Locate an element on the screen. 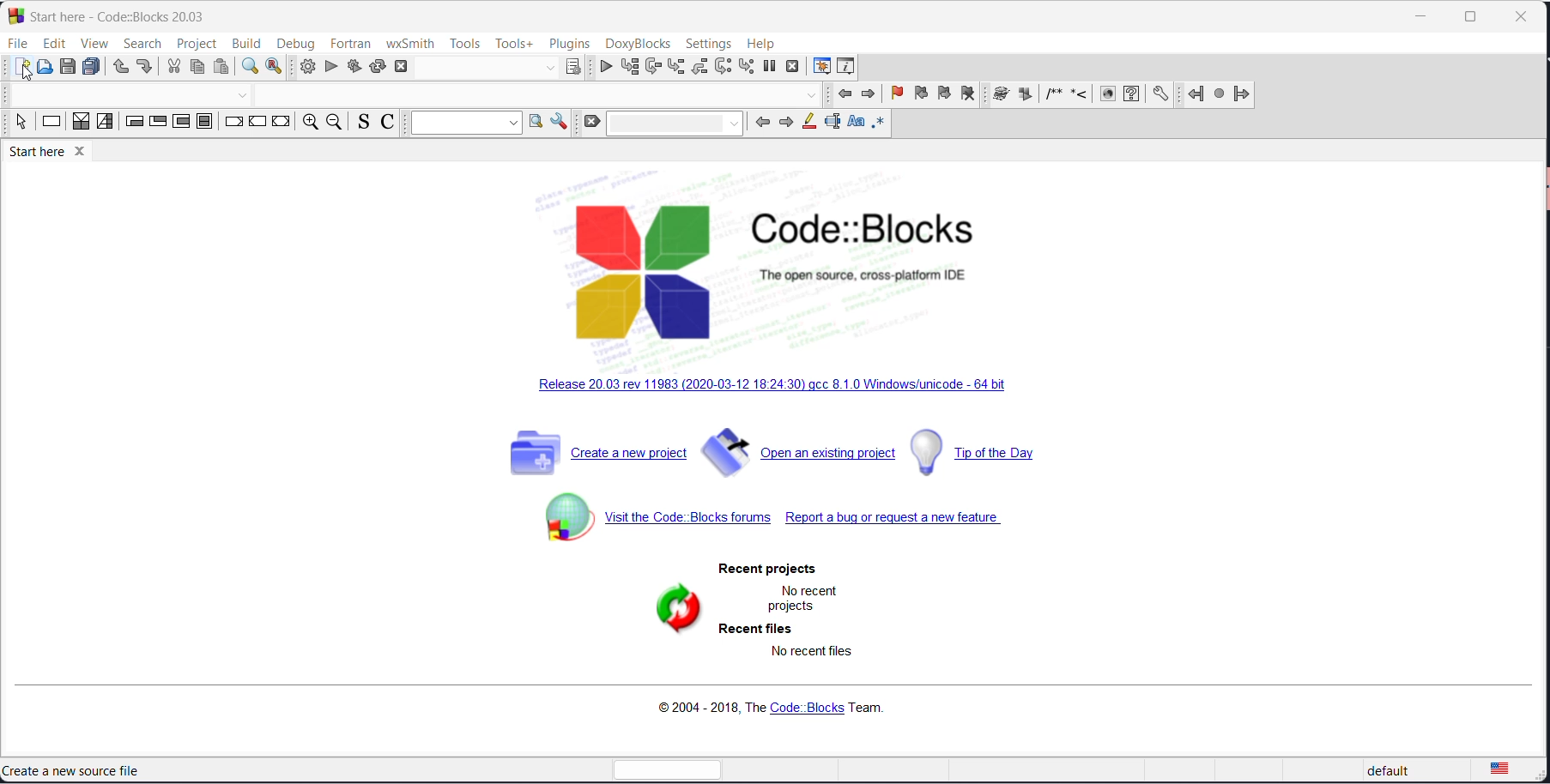 This screenshot has width=1550, height=784. toggle source is located at coordinates (362, 124).